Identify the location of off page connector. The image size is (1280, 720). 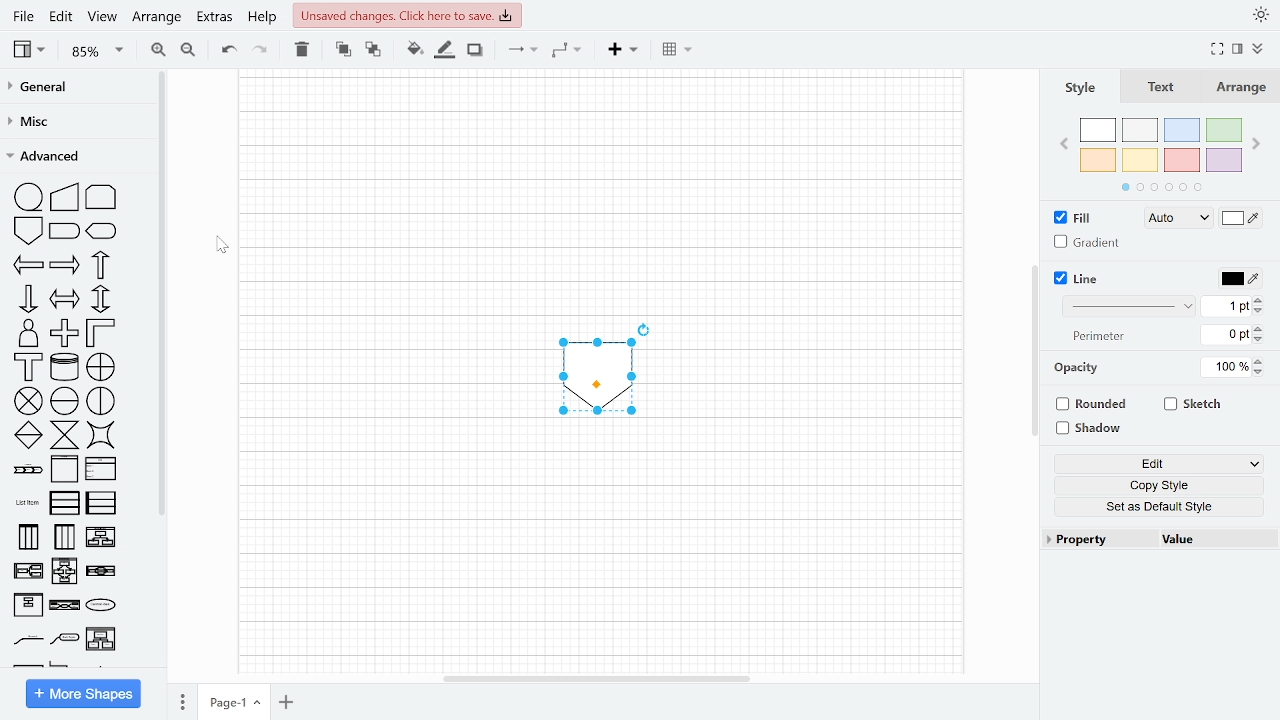
(28, 231).